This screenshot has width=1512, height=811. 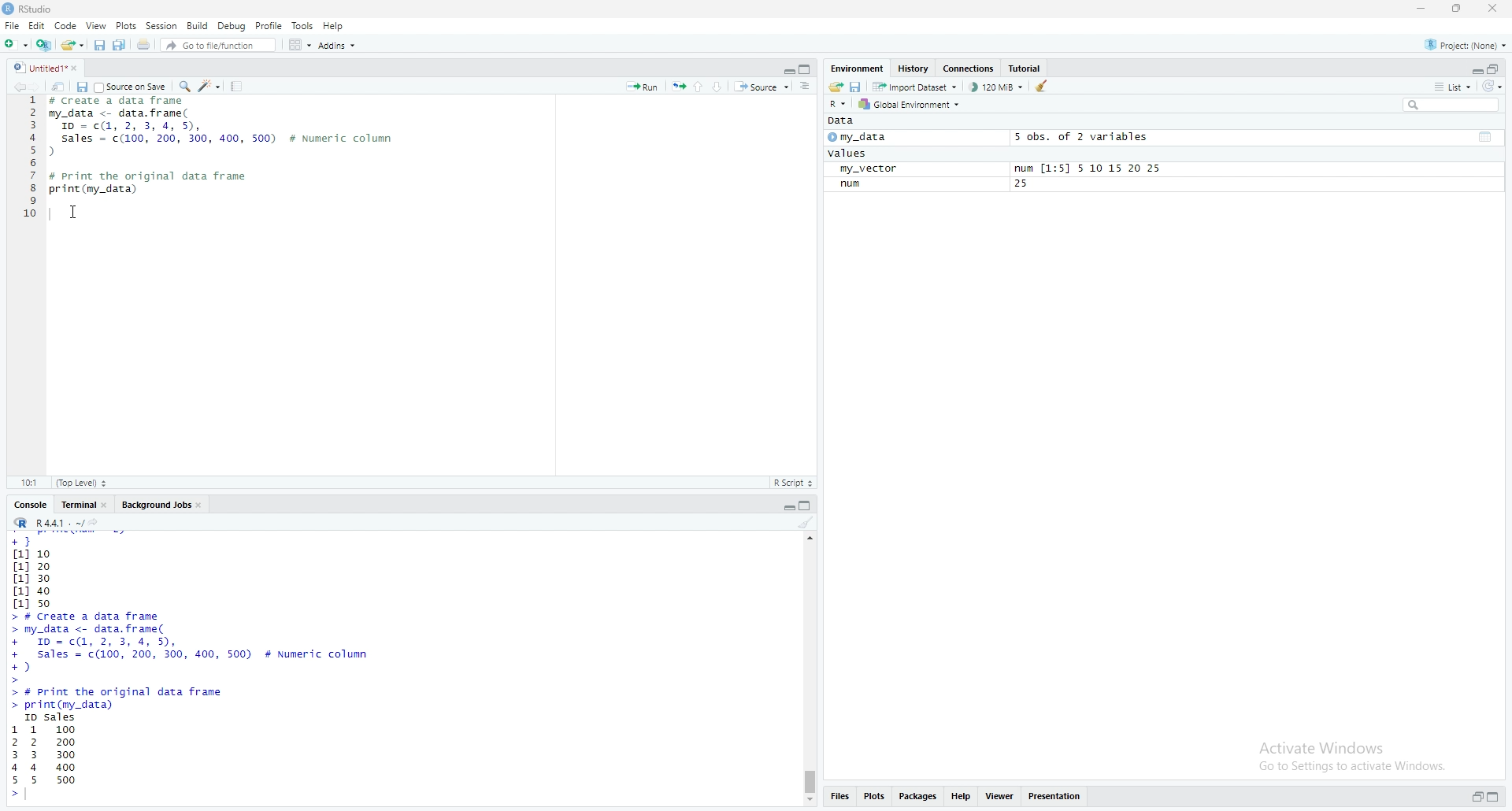 I want to click on my_data, so click(x=874, y=139).